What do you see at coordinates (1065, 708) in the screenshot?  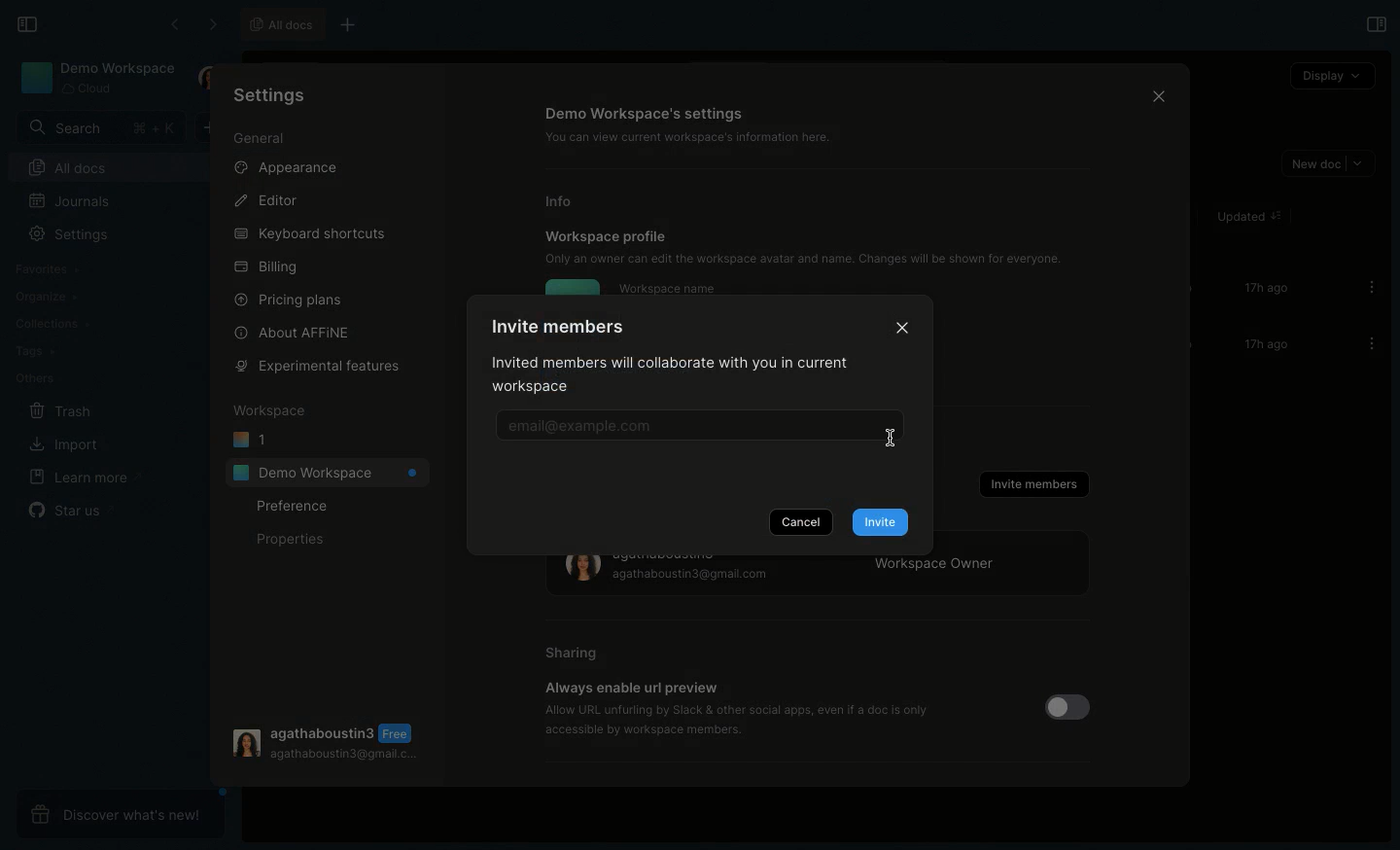 I see `Toggle` at bounding box center [1065, 708].